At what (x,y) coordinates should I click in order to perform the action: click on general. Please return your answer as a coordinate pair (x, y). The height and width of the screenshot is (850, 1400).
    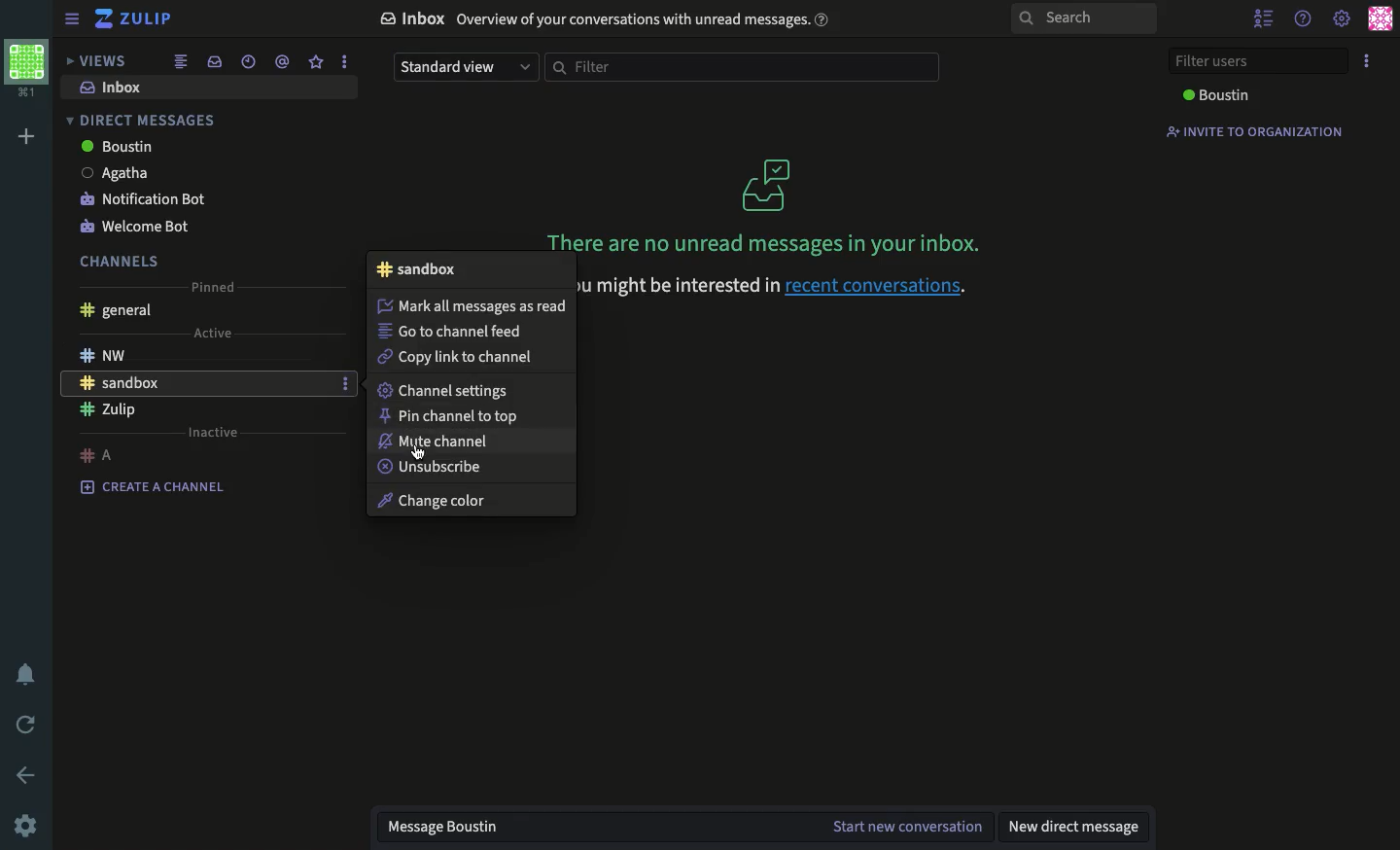
    Looking at the image, I should click on (119, 311).